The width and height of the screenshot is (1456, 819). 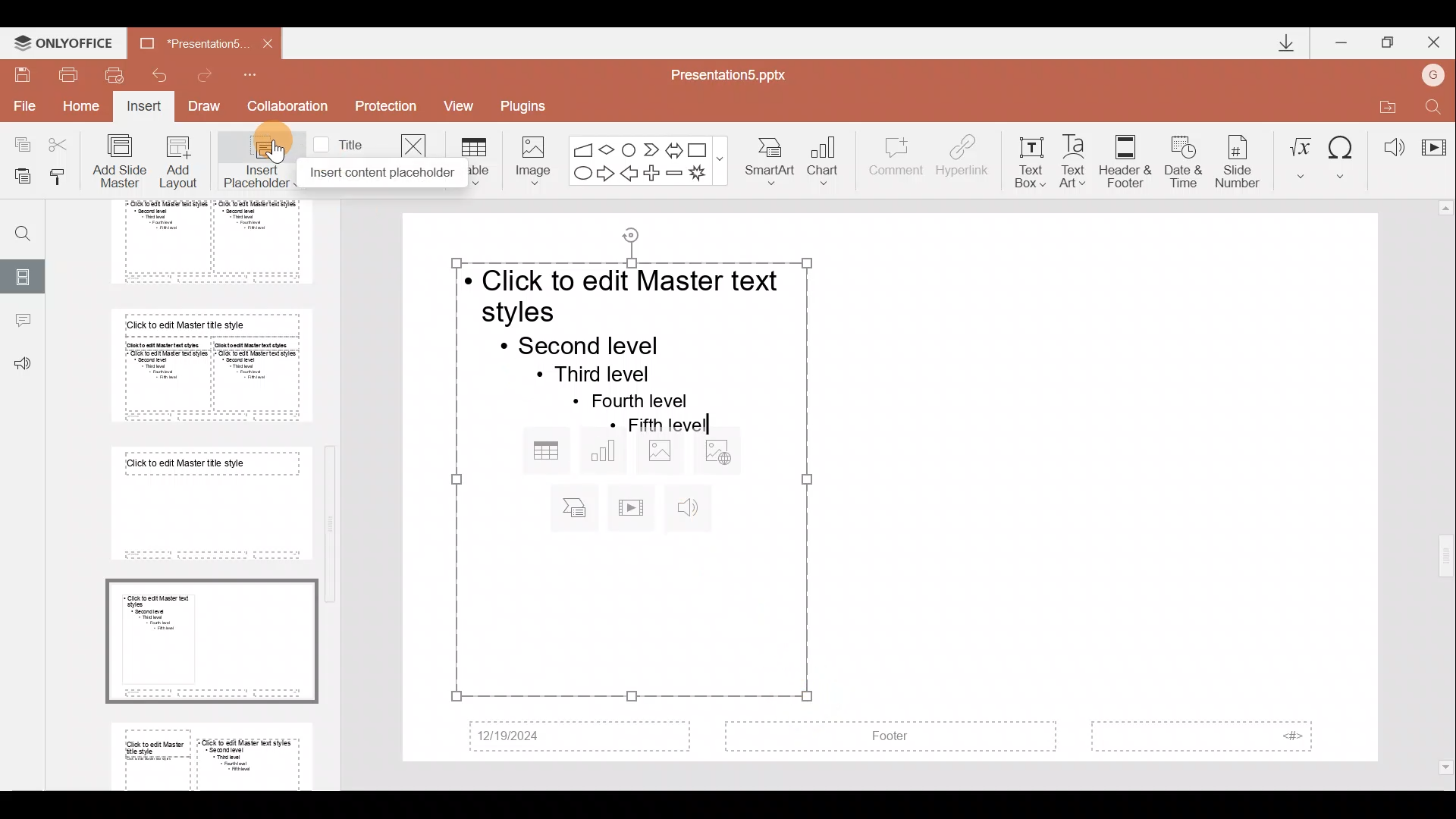 What do you see at coordinates (833, 162) in the screenshot?
I see `Chart` at bounding box center [833, 162].